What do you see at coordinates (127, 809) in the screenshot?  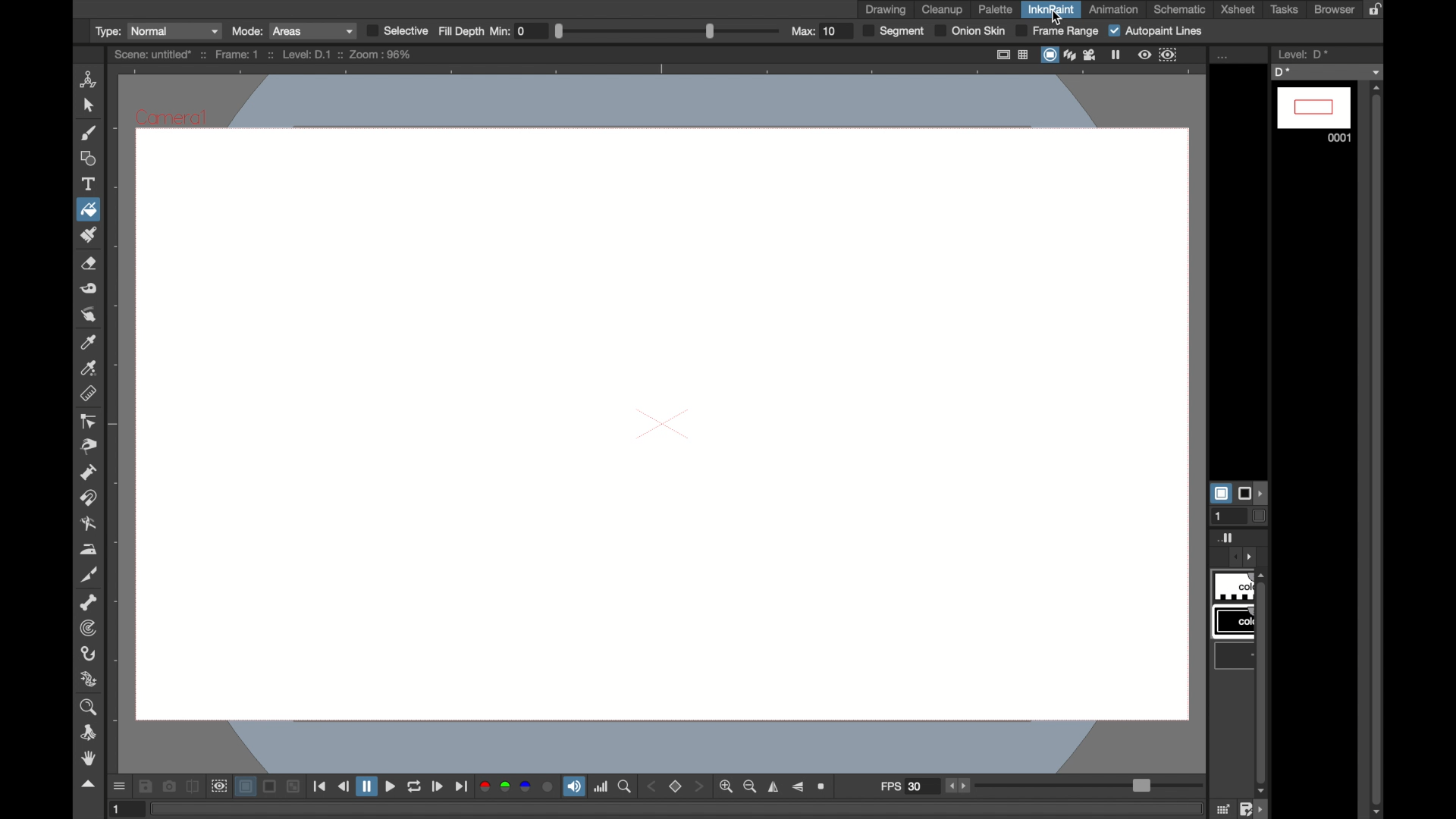 I see `1` at bounding box center [127, 809].